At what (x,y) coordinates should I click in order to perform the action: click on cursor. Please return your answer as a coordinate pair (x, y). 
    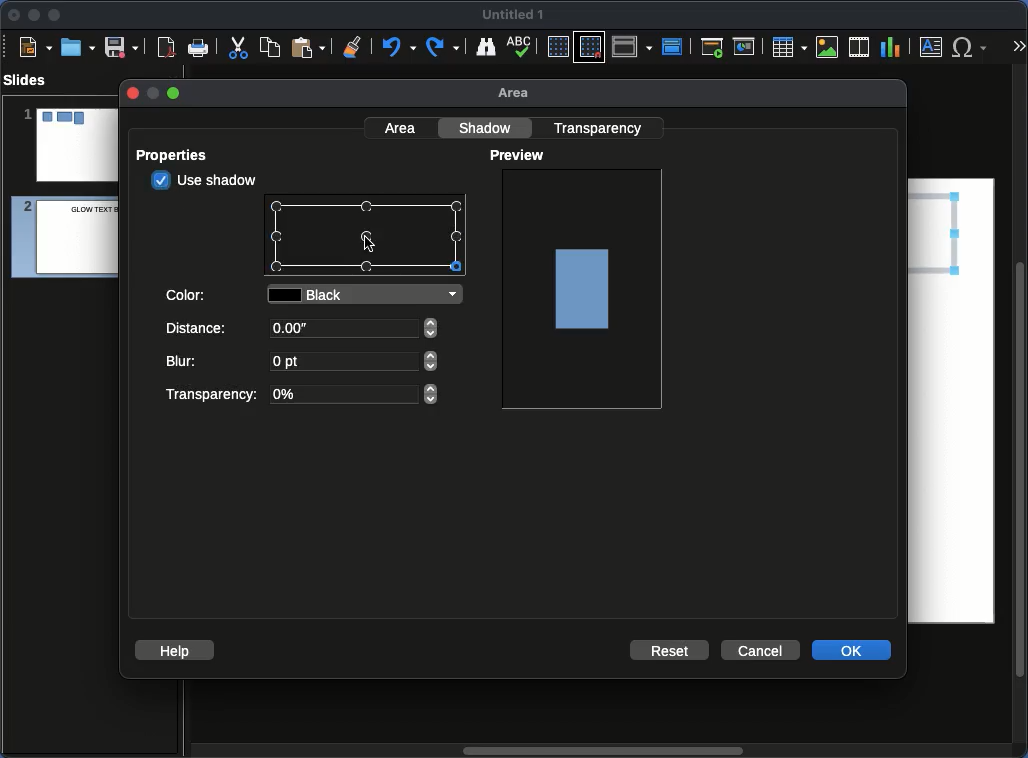
    Looking at the image, I should click on (370, 244).